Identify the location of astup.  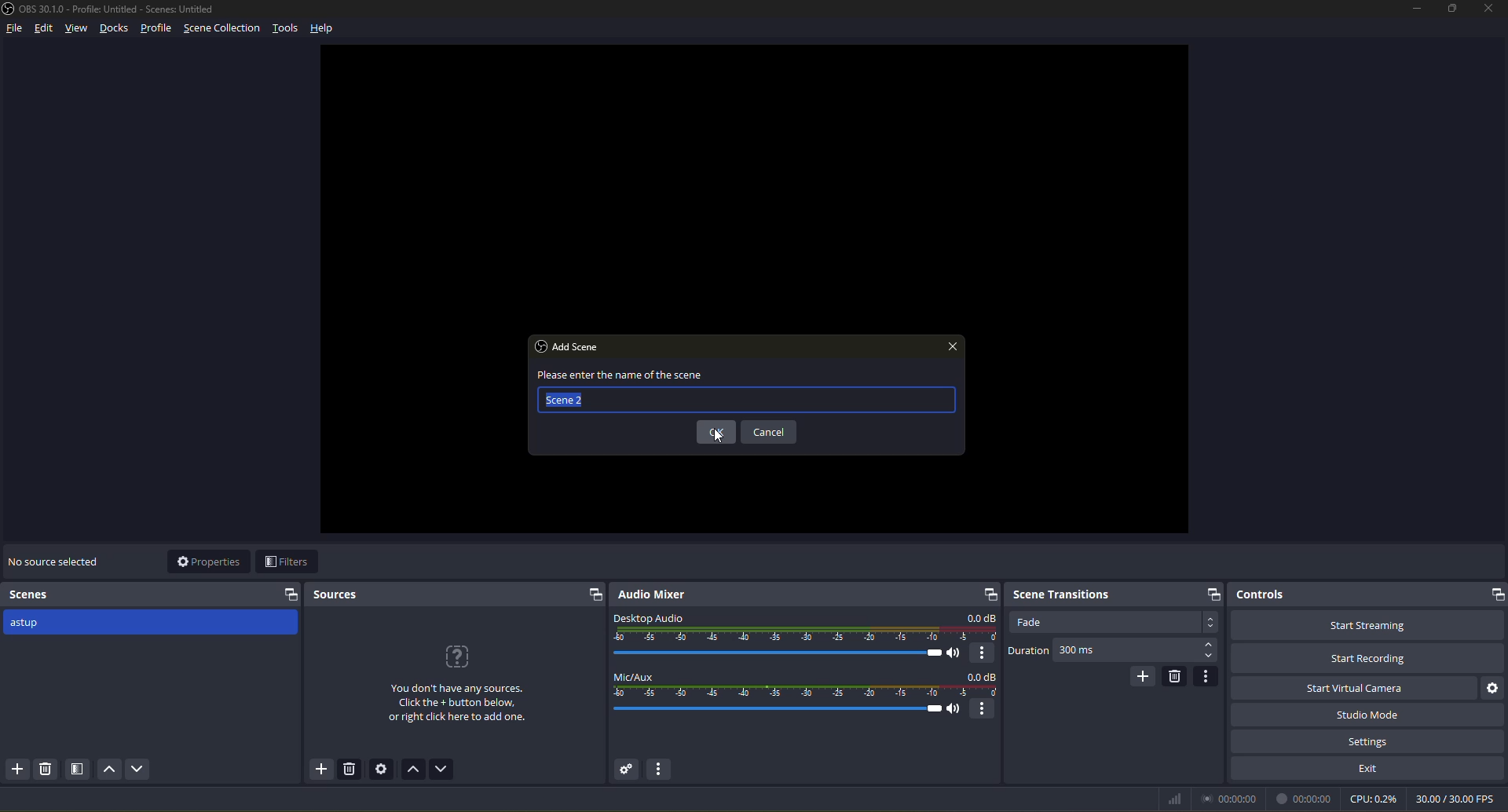
(29, 625).